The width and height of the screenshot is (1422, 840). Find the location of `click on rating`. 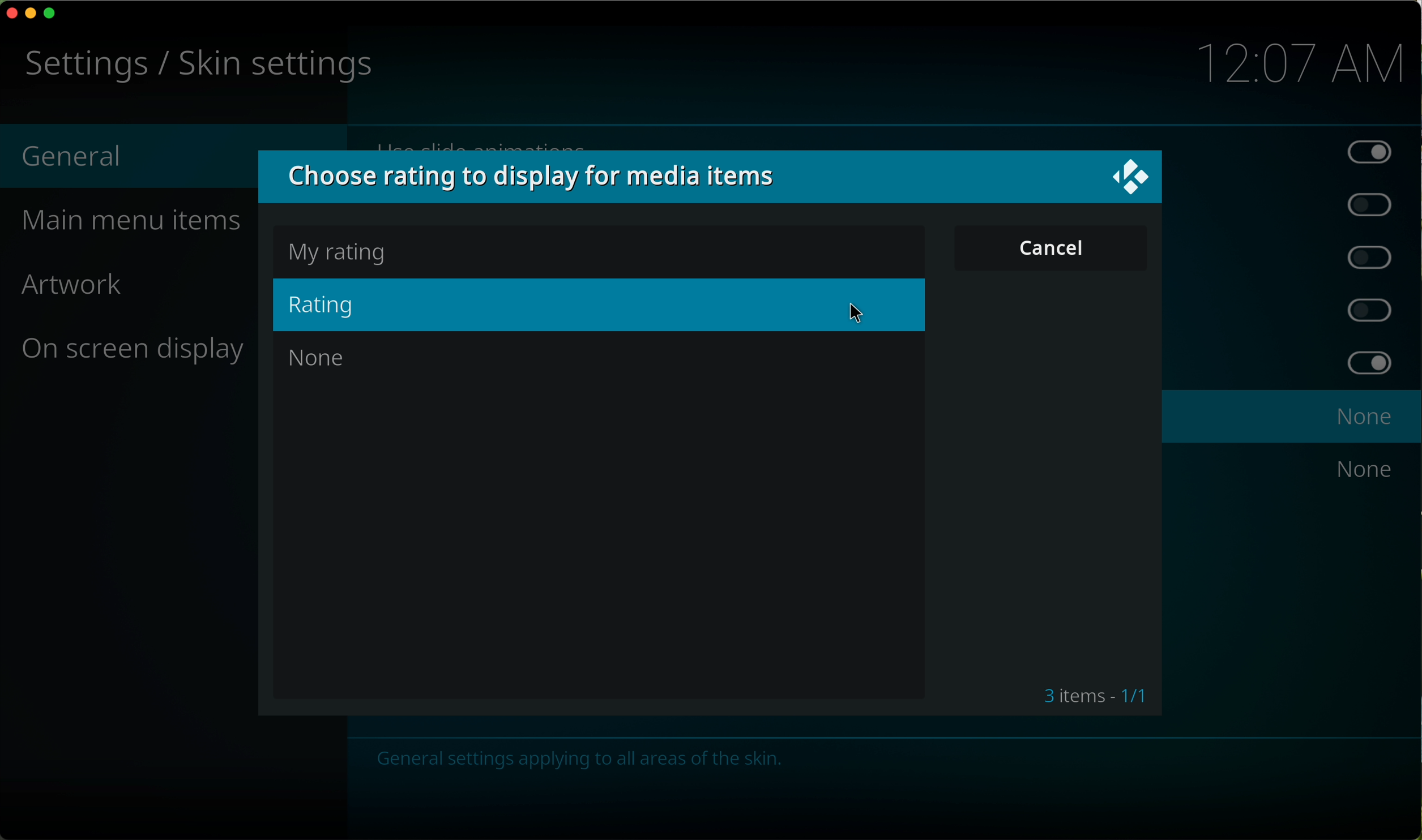

click on rating is located at coordinates (599, 304).